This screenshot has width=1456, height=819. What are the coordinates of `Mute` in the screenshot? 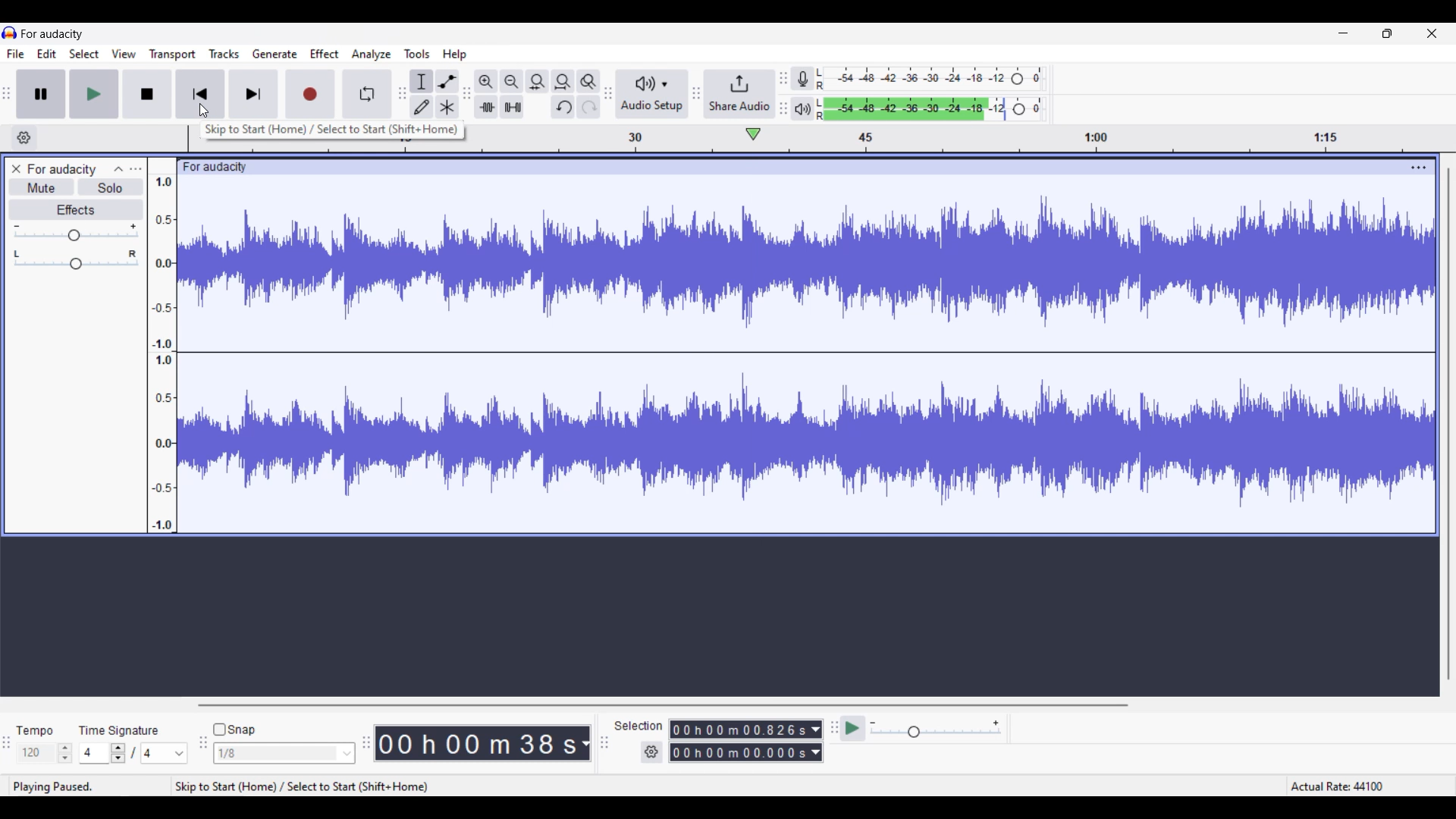 It's located at (42, 187).